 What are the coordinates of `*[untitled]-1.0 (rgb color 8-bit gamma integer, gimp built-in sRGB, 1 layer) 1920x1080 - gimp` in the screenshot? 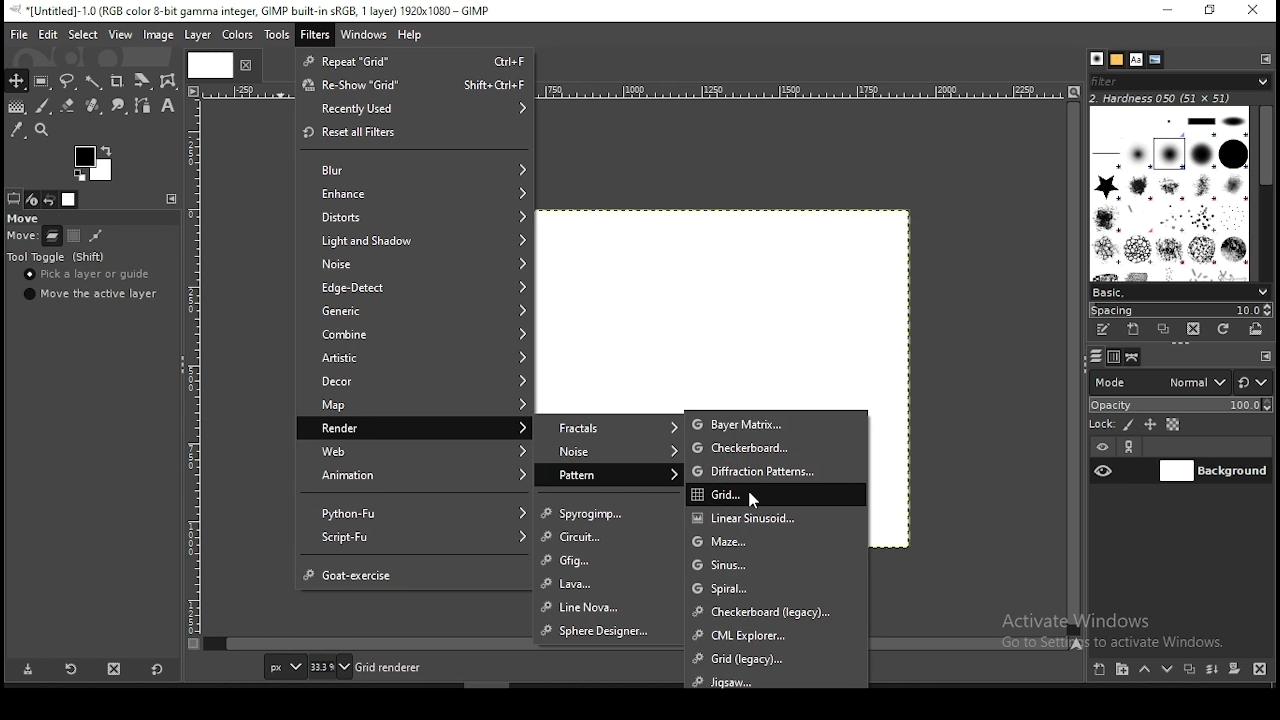 It's located at (255, 11).